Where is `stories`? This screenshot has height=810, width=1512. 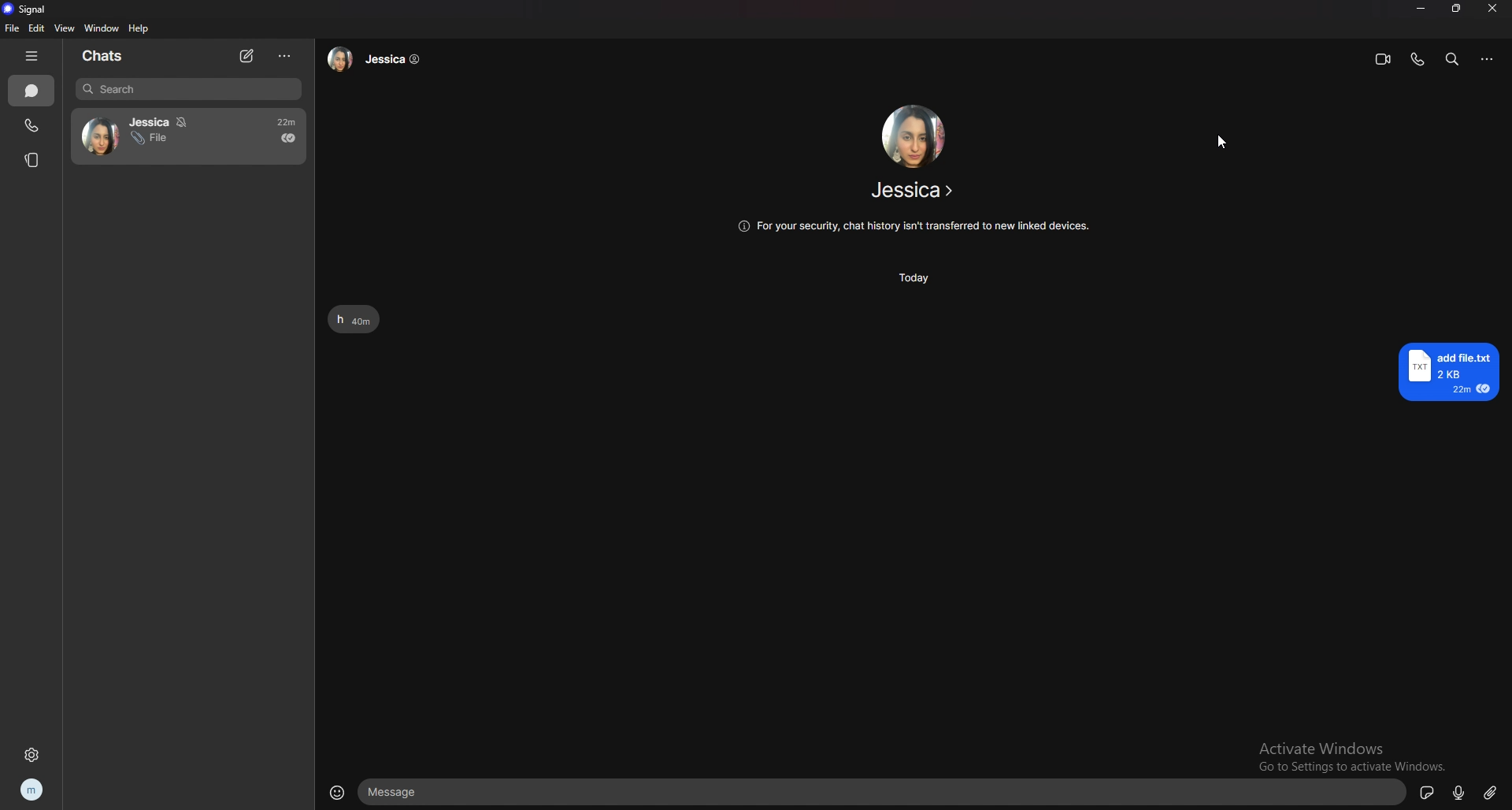 stories is located at coordinates (33, 162).